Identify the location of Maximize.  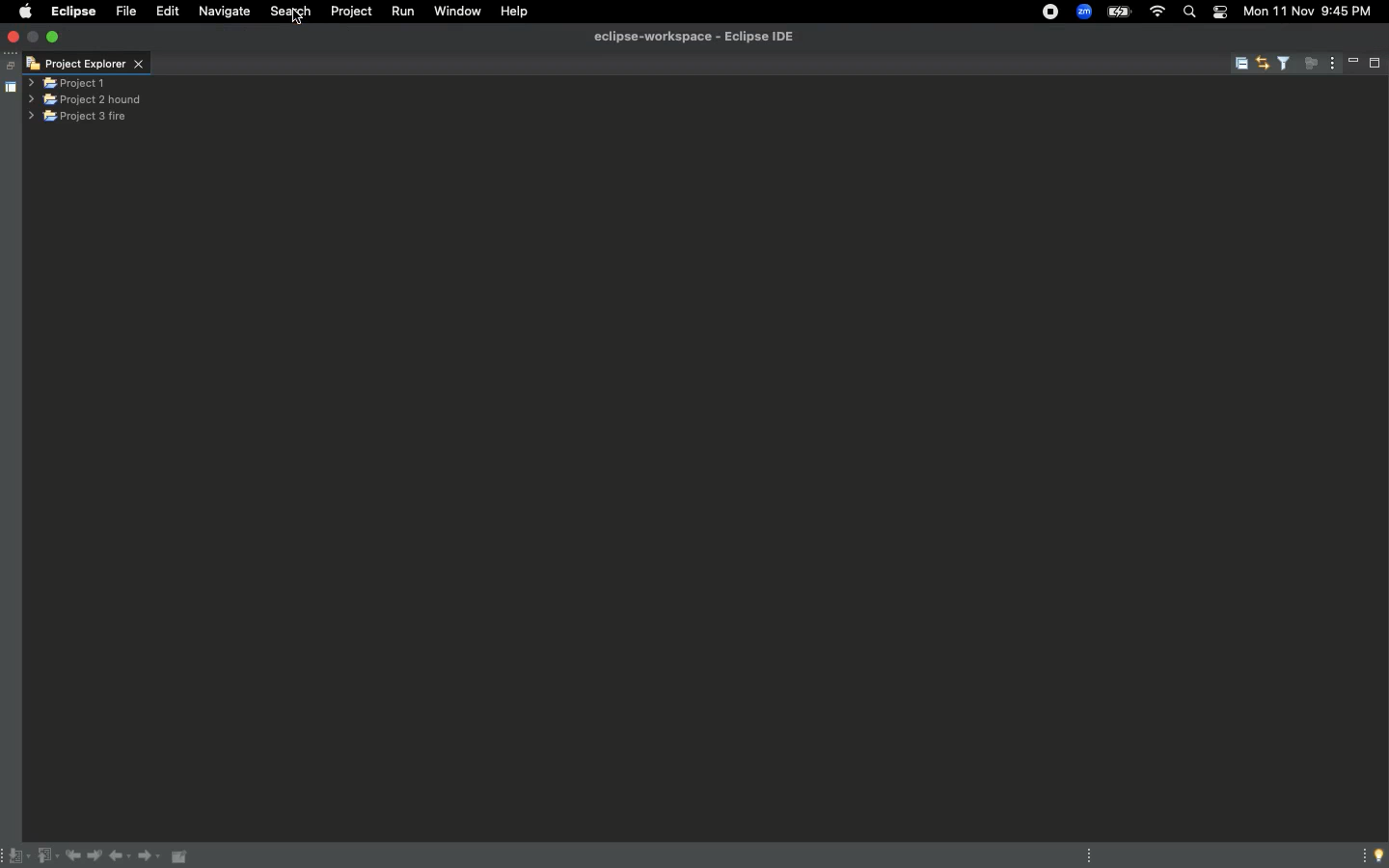
(55, 38).